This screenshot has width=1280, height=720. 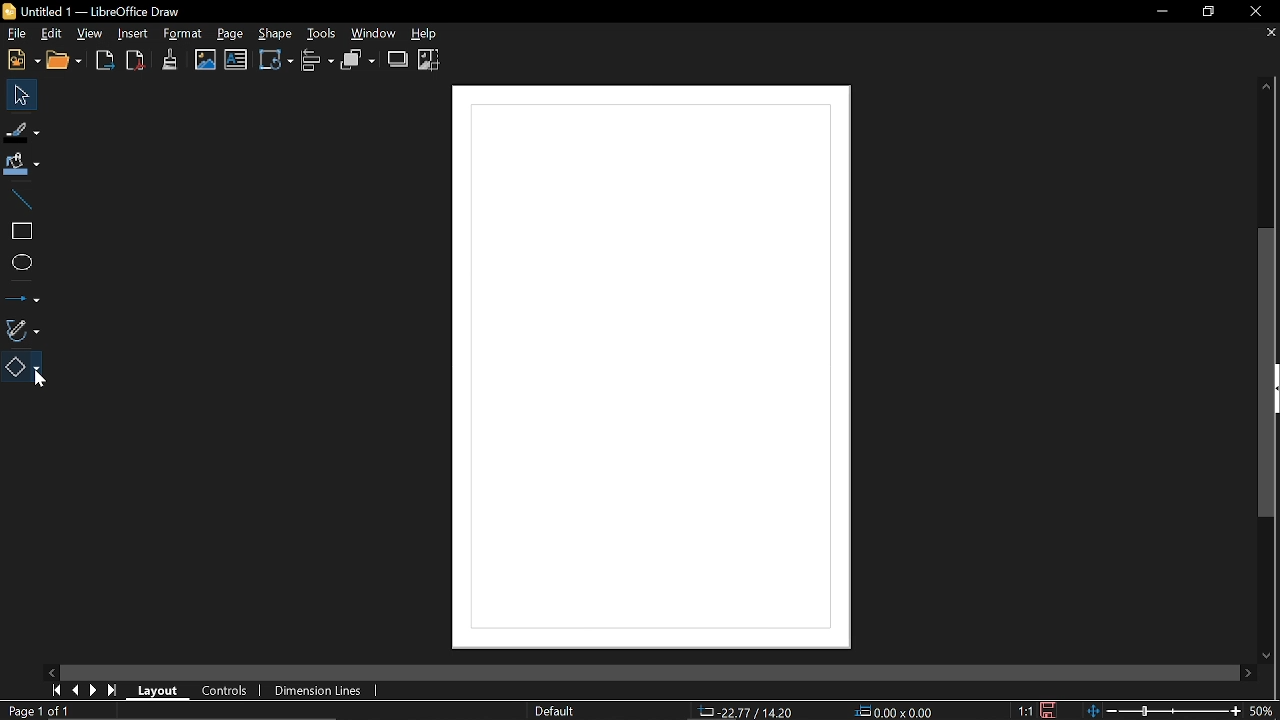 I want to click on Rectangle, so click(x=20, y=231).